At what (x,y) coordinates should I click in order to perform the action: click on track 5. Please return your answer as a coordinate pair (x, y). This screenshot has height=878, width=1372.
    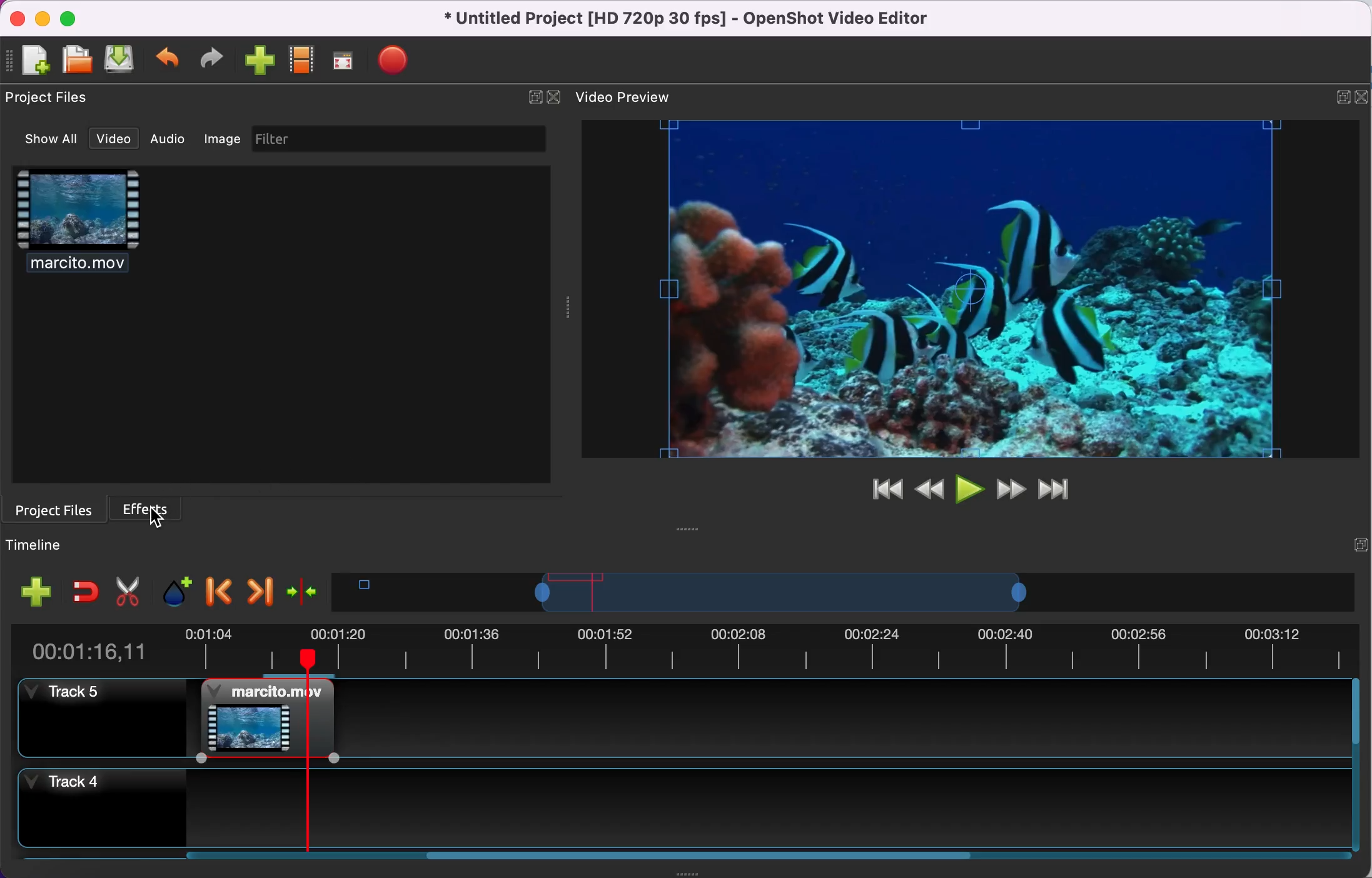
    Looking at the image, I should click on (843, 717).